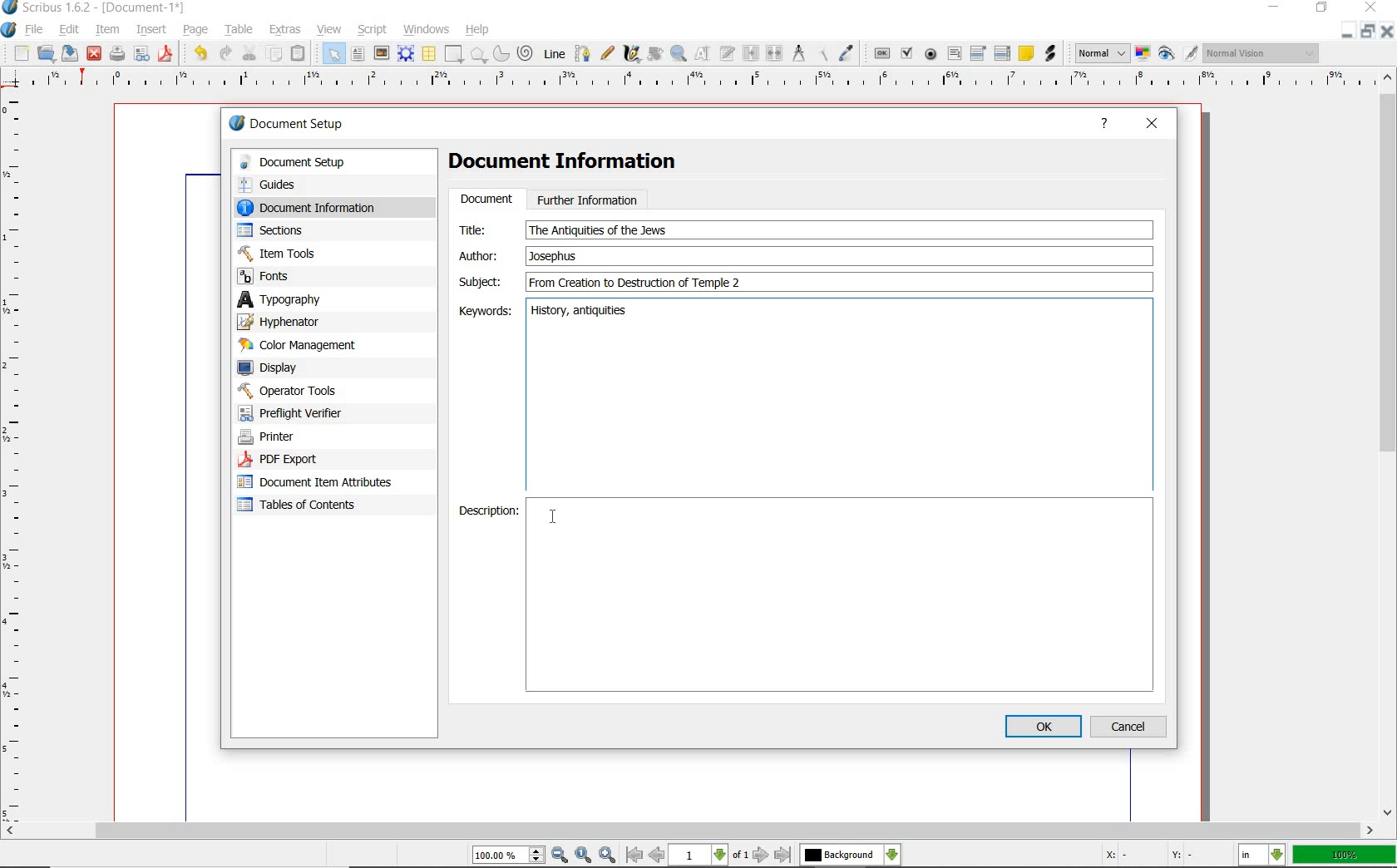  Describe the element at coordinates (908, 52) in the screenshot. I see `pdf check box` at that location.